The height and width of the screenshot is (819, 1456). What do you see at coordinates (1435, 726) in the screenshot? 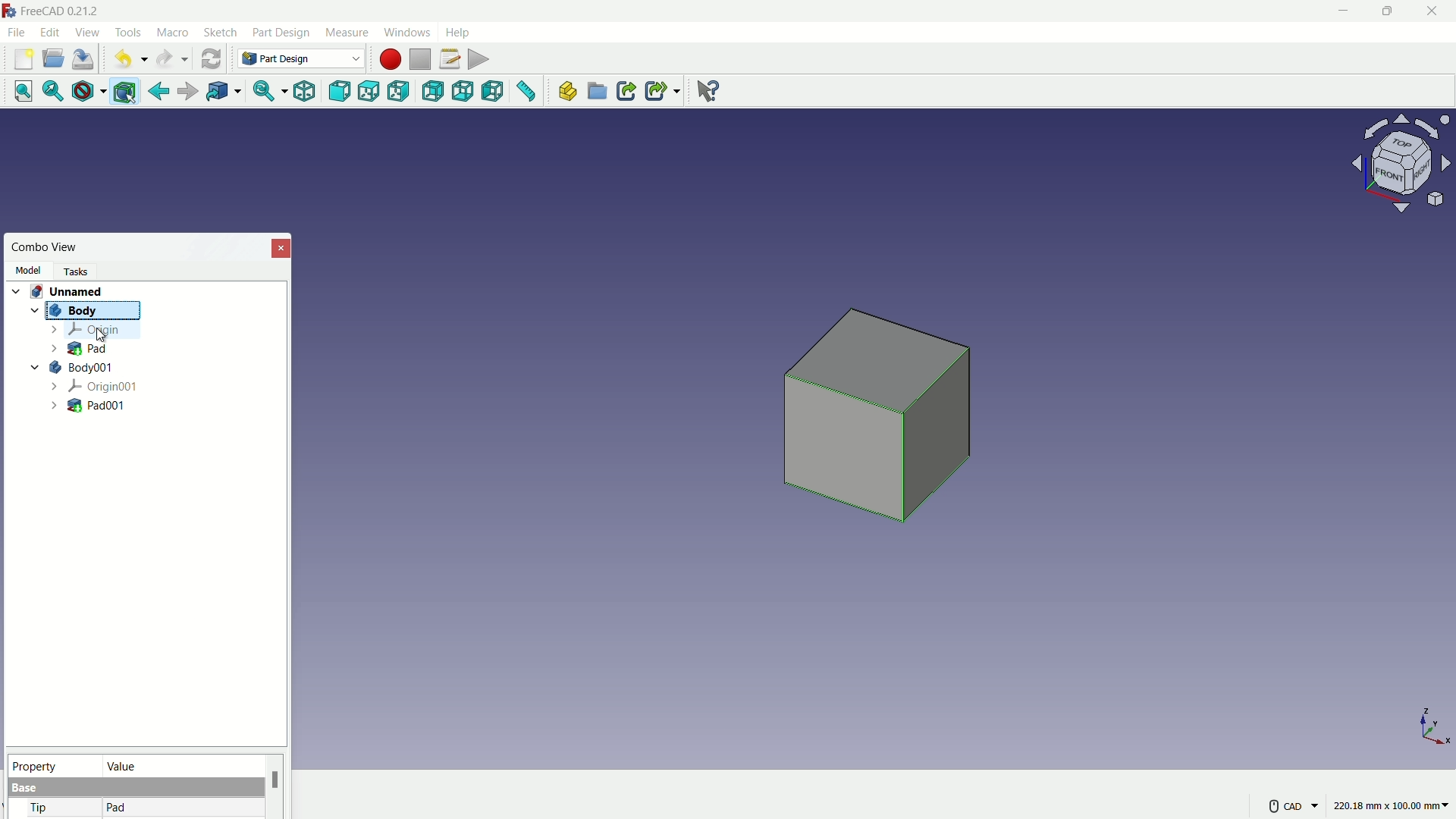
I see `axis` at bounding box center [1435, 726].